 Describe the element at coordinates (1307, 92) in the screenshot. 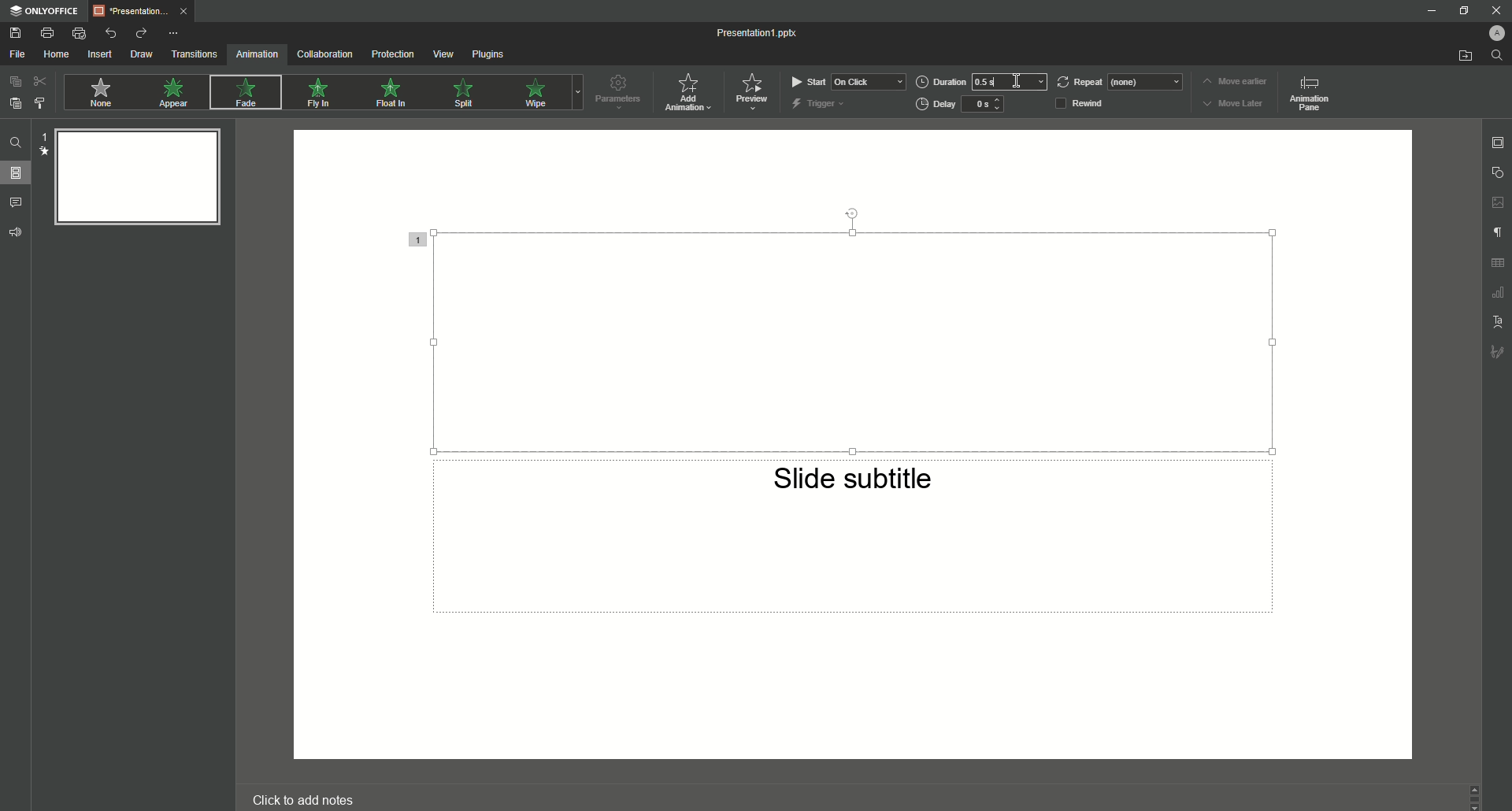

I see `Animation pane` at that location.